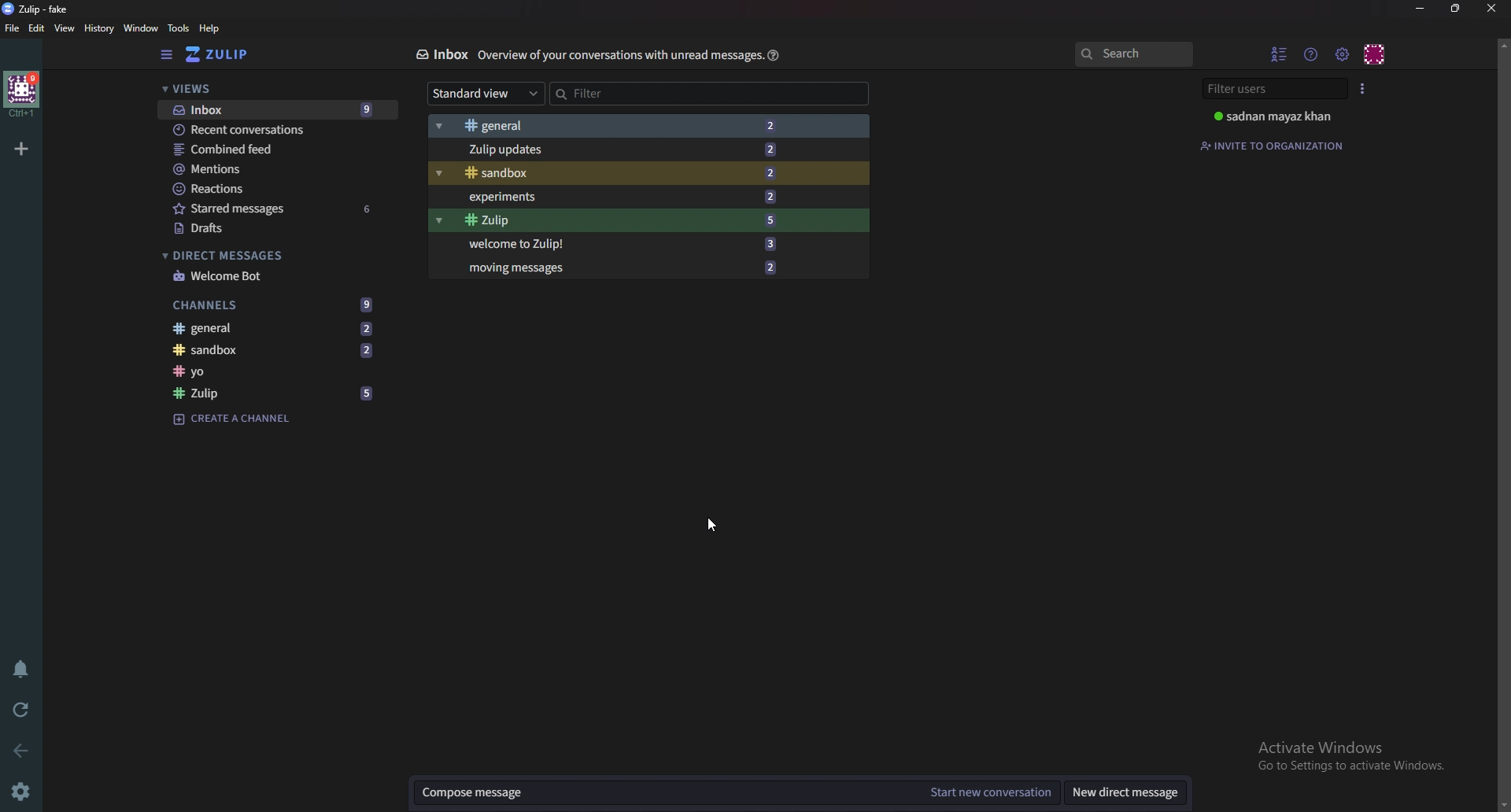  Describe the element at coordinates (486, 94) in the screenshot. I see `Standard view` at that location.